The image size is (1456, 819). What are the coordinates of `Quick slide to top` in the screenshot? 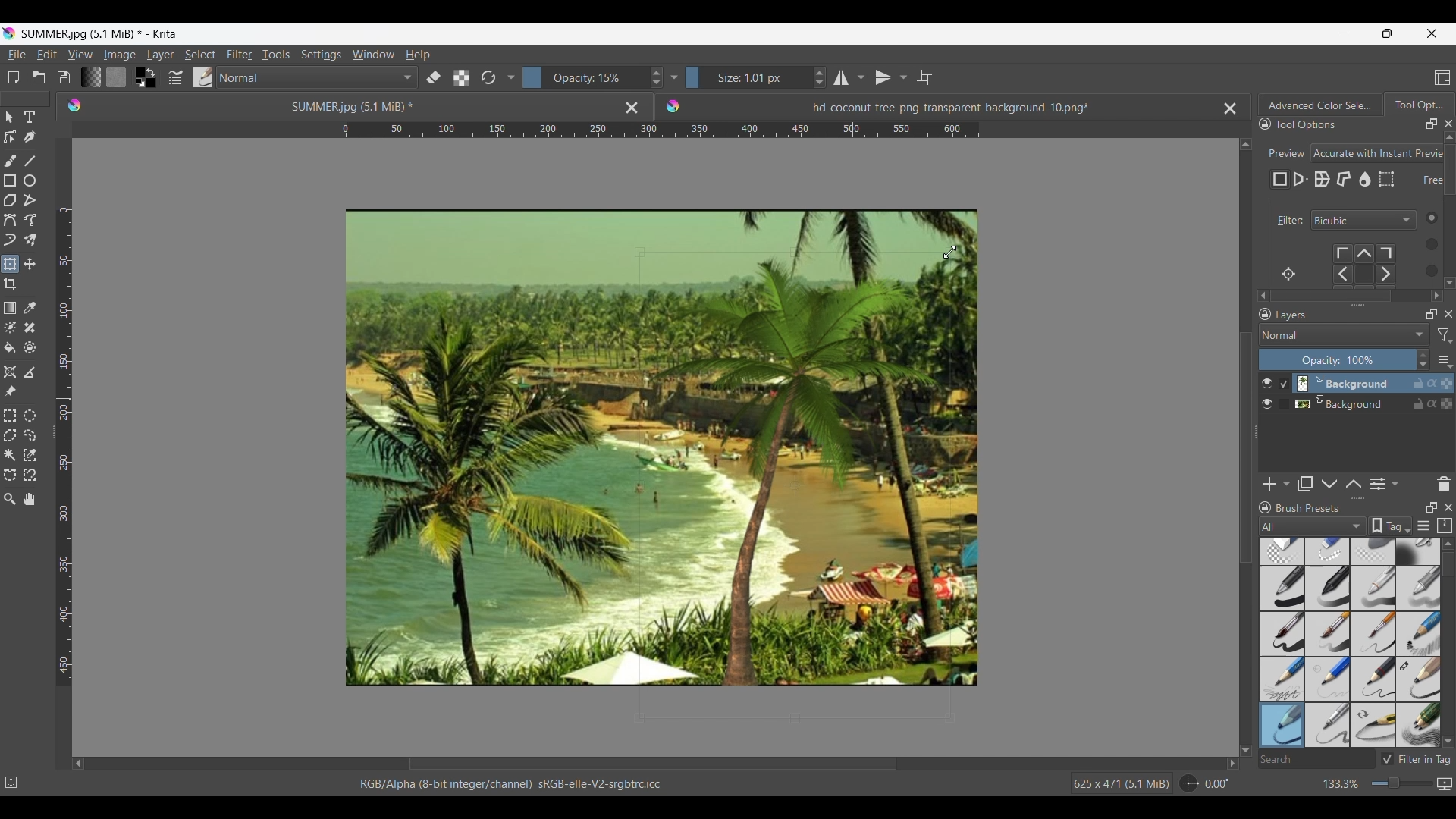 It's located at (1448, 544).